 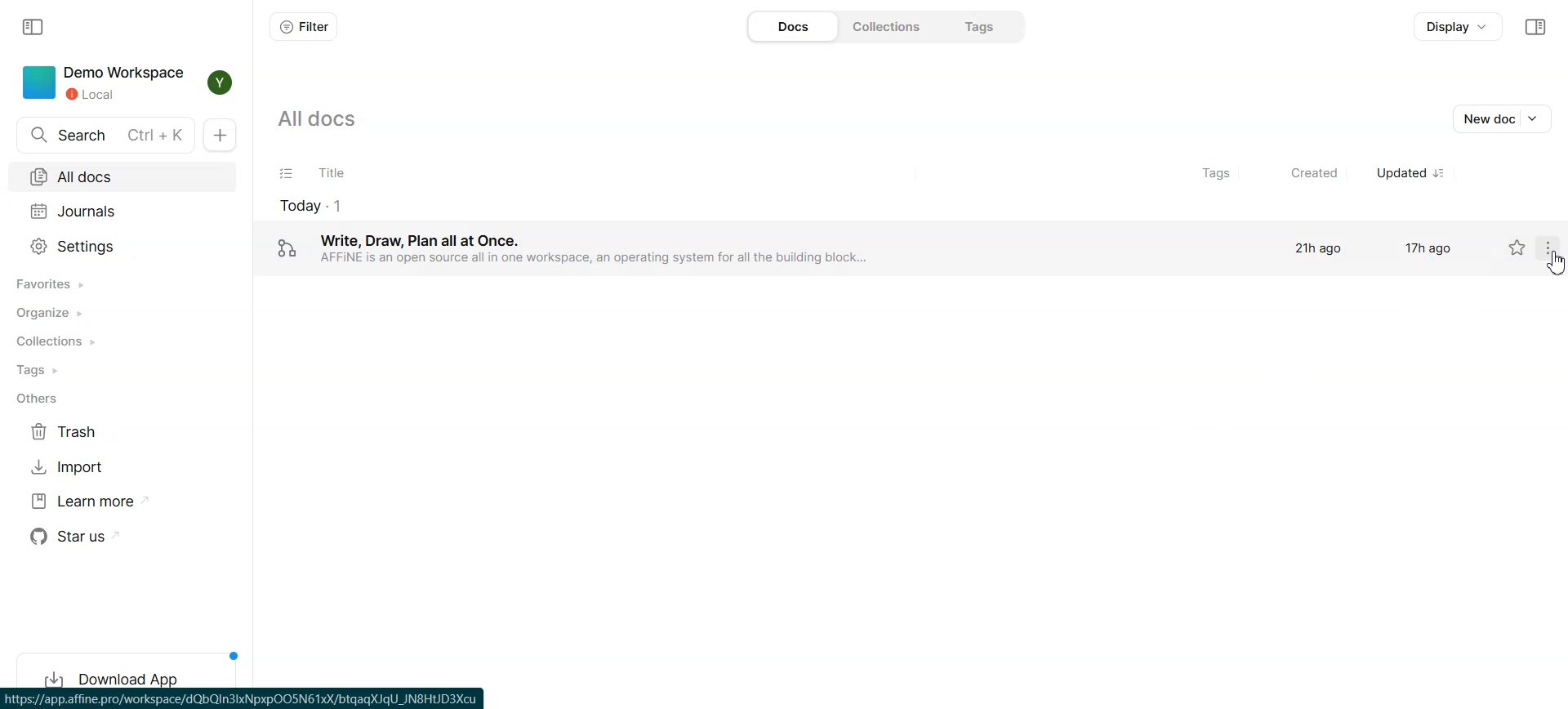 What do you see at coordinates (122, 211) in the screenshot?
I see `Journals` at bounding box center [122, 211].